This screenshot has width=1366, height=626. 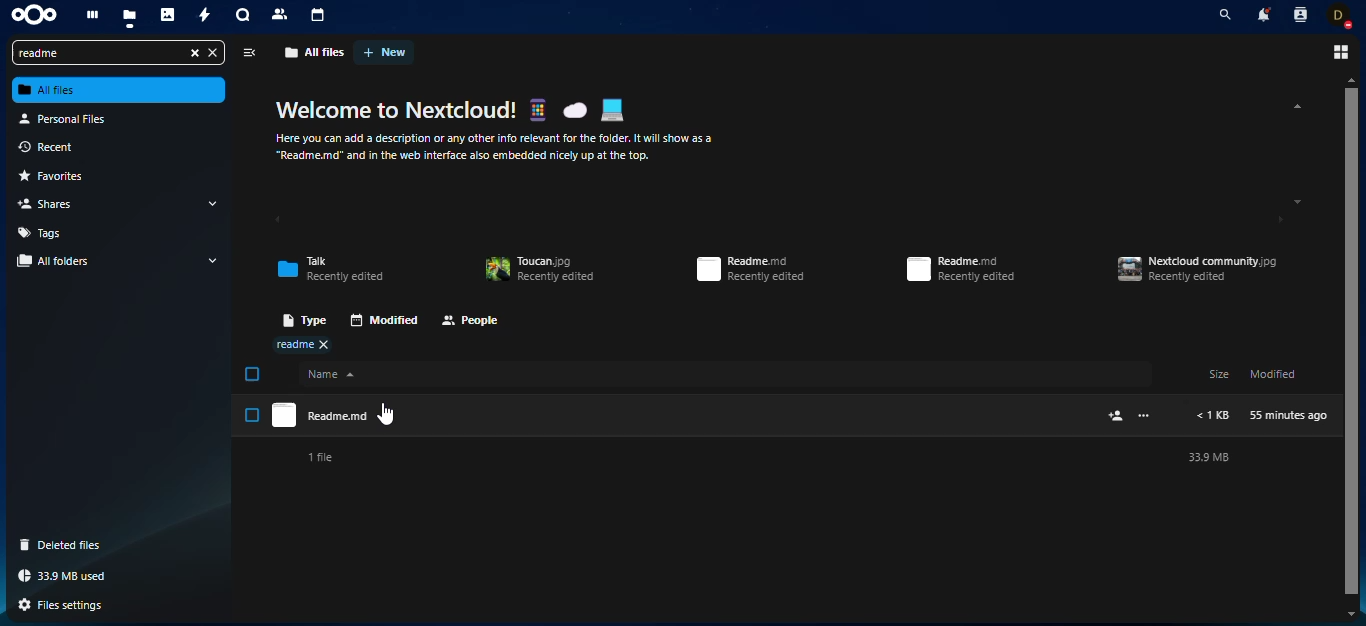 I want to click on Readme.md, so click(x=684, y=415).